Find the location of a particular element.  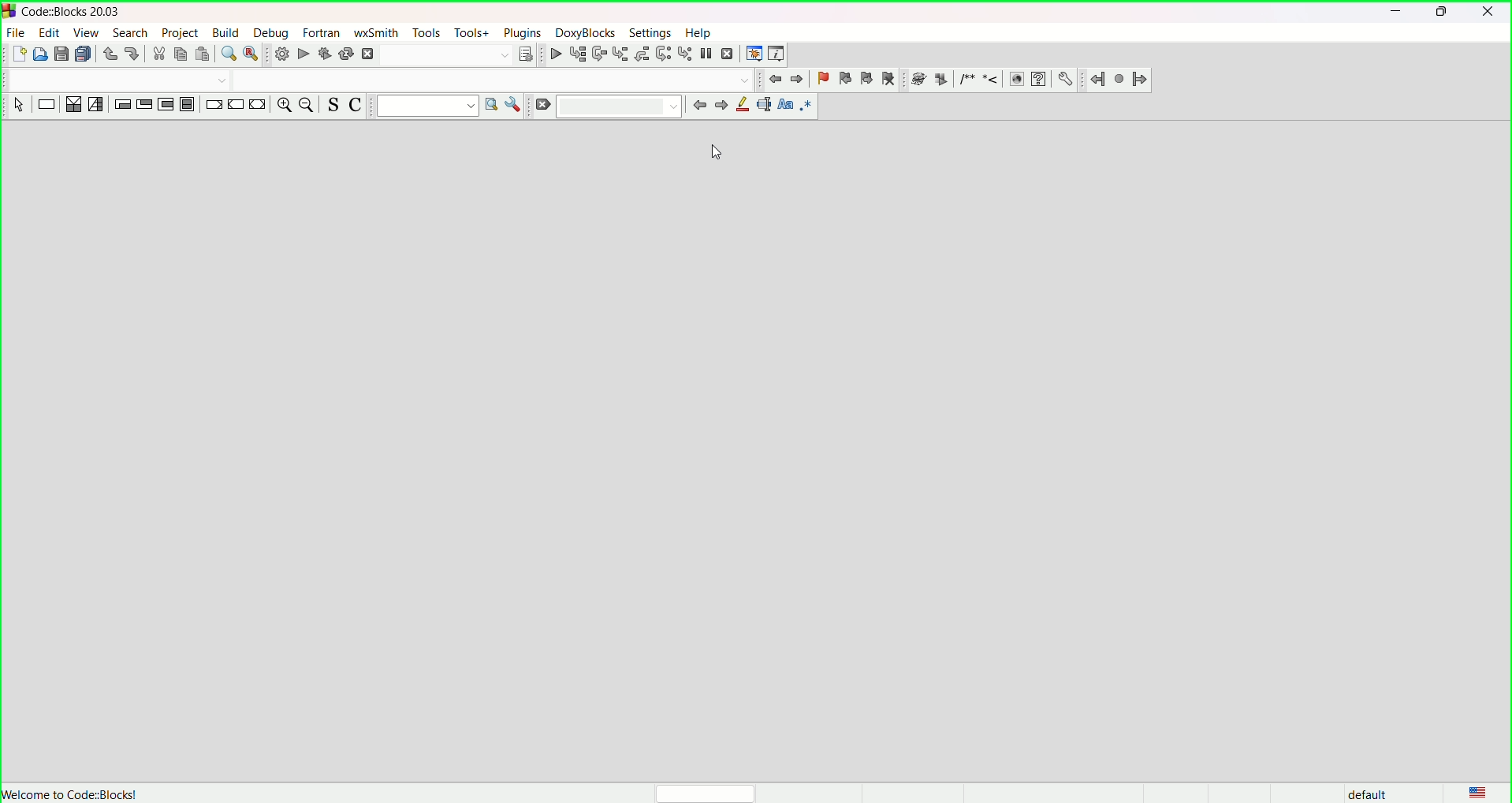

selection is located at coordinates (97, 105).